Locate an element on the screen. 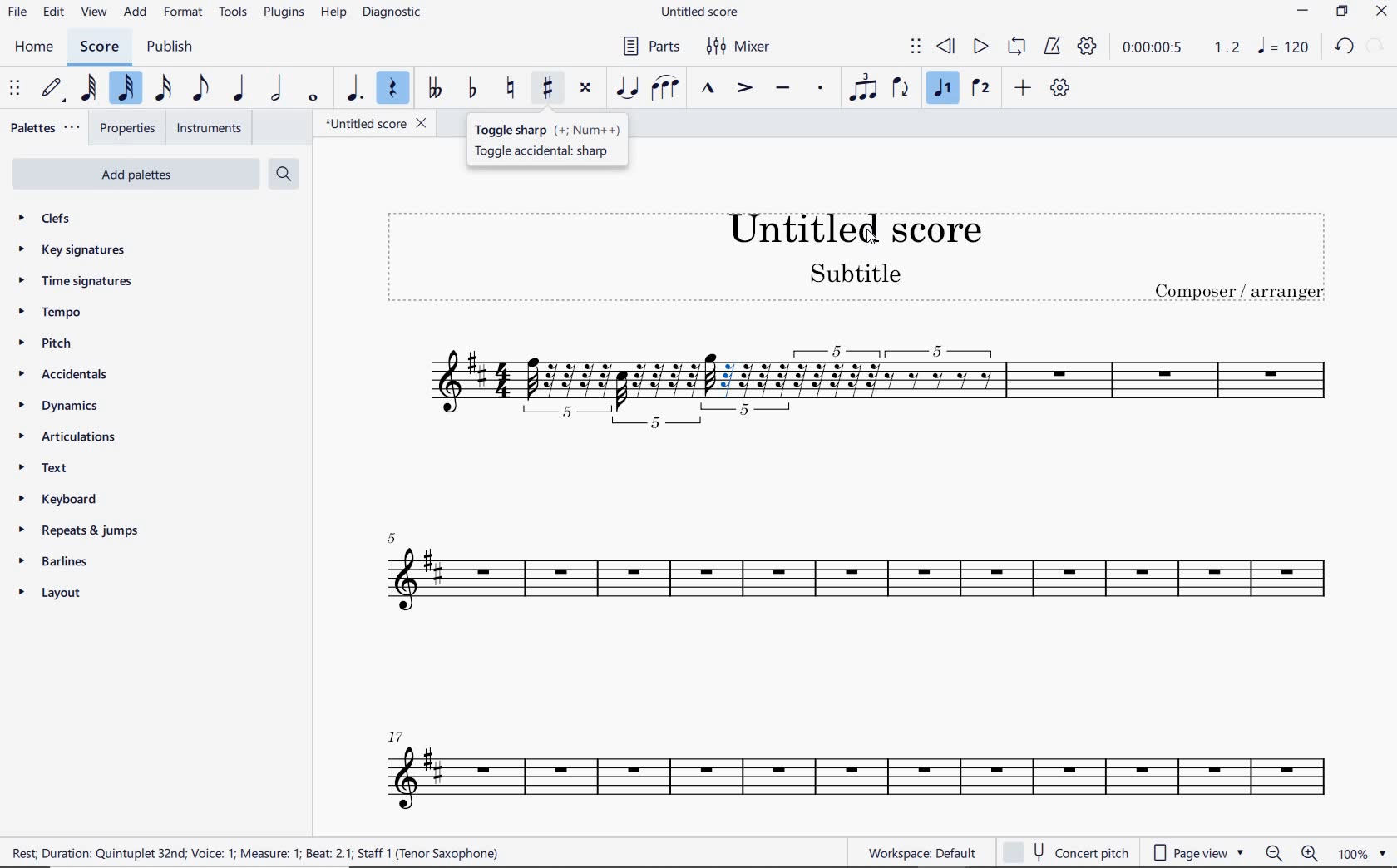 This screenshot has width=1397, height=868. KEYBOARD is located at coordinates (61, 499).